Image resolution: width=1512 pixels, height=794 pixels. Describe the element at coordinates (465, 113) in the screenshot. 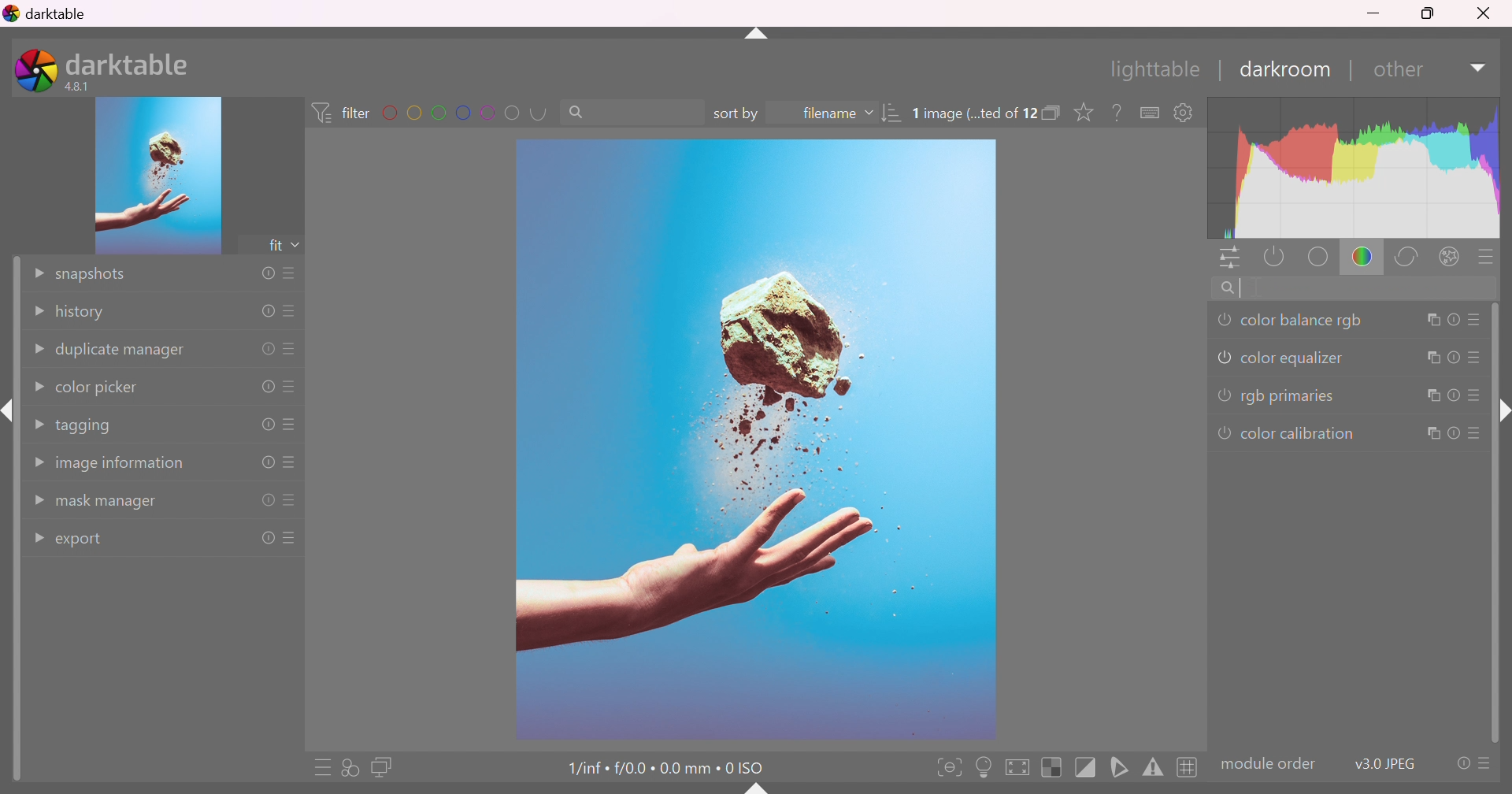

I see `filter by images color label` at that location.